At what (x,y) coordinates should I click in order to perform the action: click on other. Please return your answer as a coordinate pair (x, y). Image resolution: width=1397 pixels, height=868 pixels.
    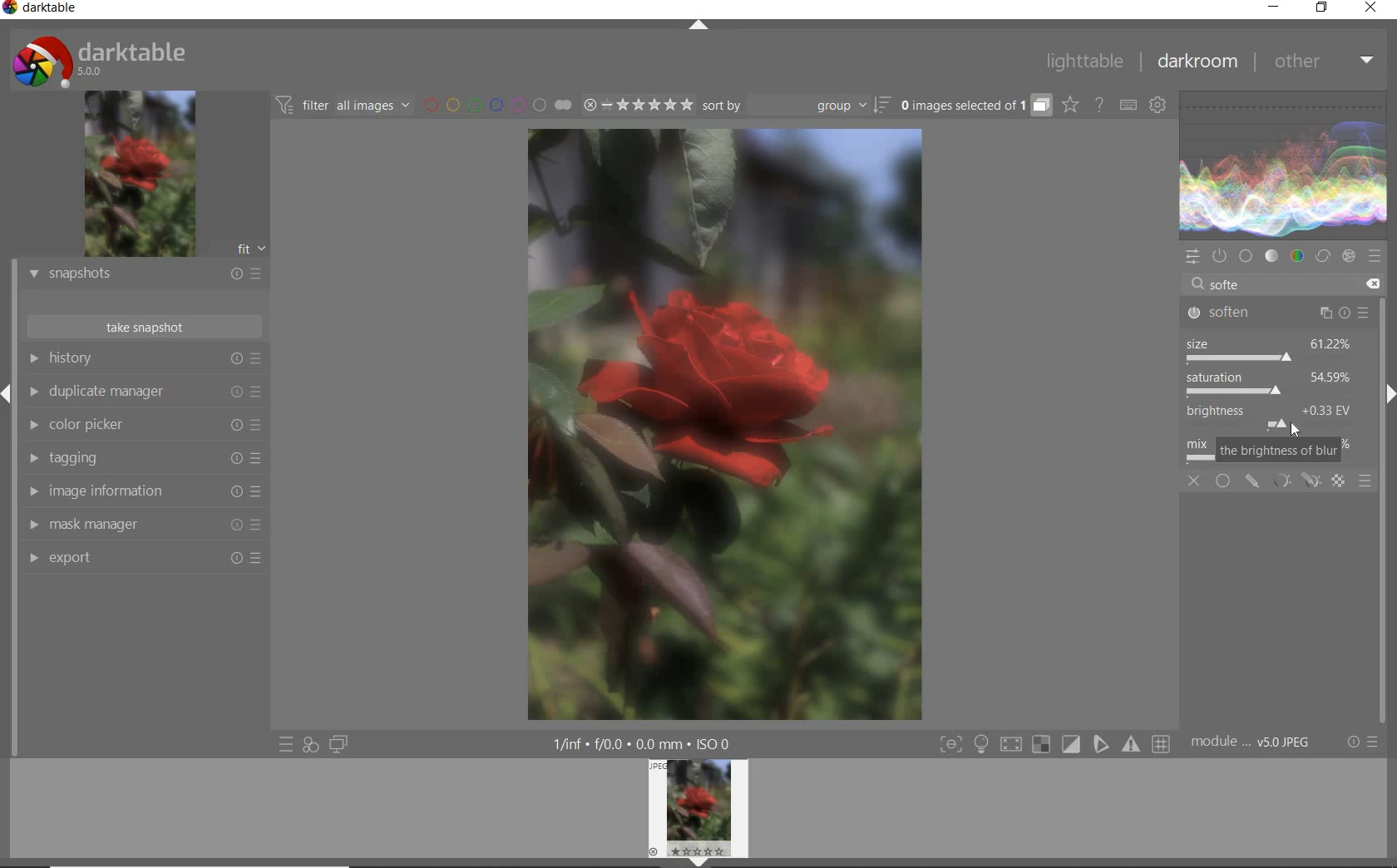
    Looking at the image, I should click on (1322, 63).